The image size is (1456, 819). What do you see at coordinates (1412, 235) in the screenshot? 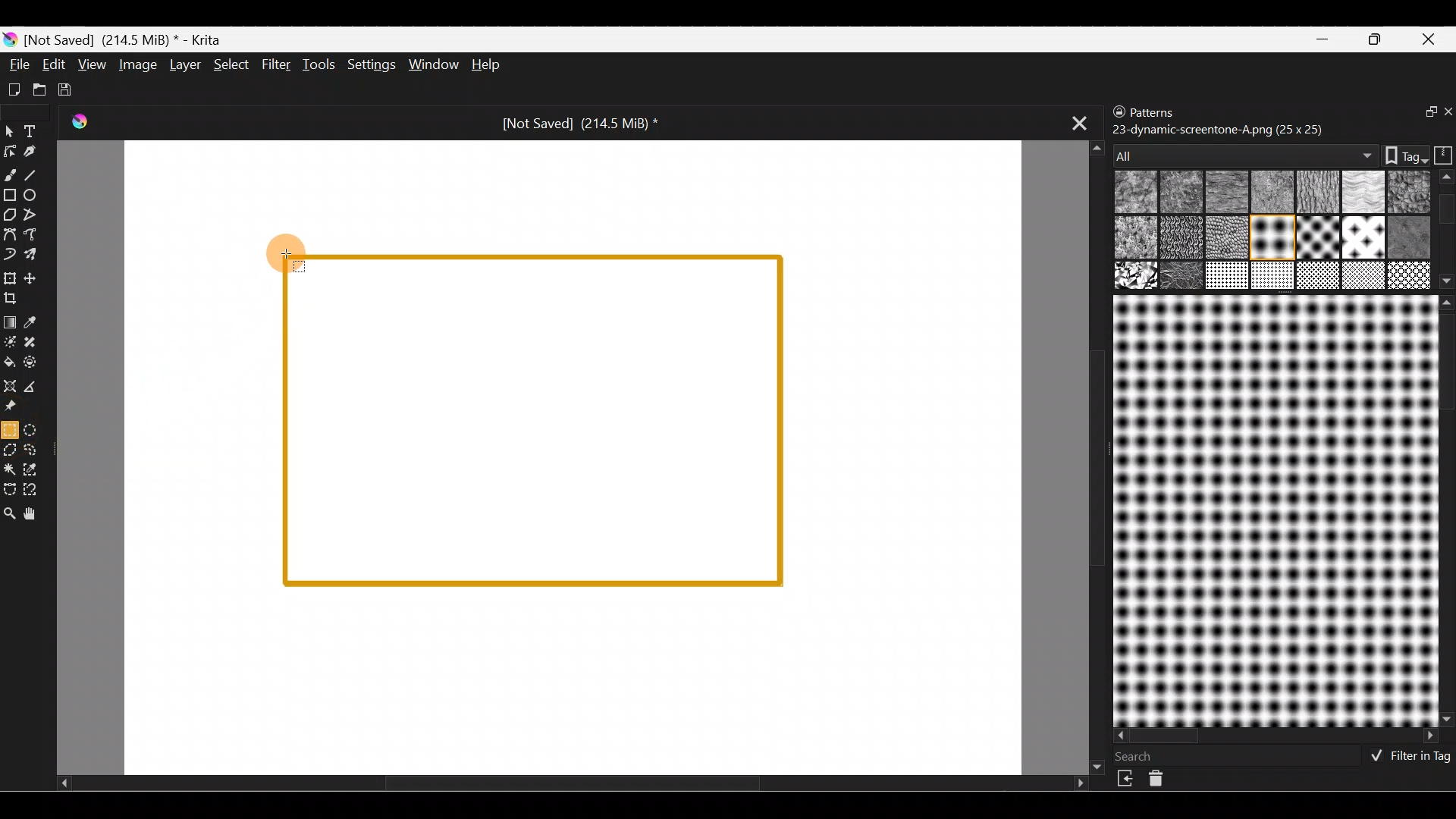
I see `13 drawed_swirl.png` at bounding box center [1412, 235].